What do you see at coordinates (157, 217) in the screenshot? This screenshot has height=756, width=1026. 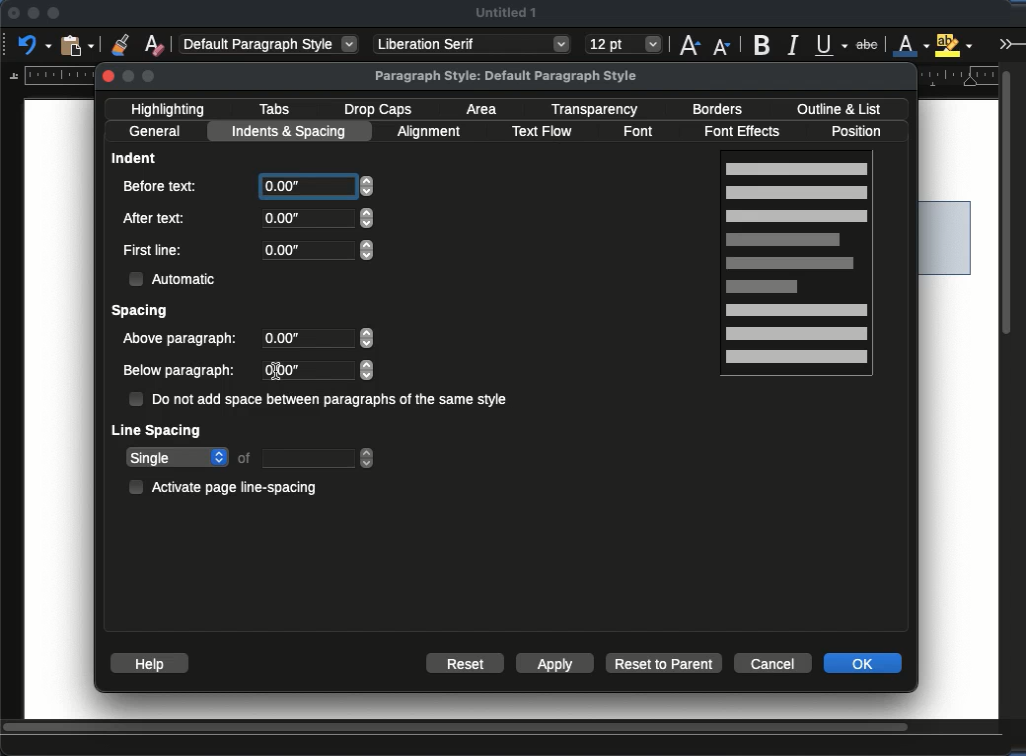 I see `after text` at bounding box center [157, 217].